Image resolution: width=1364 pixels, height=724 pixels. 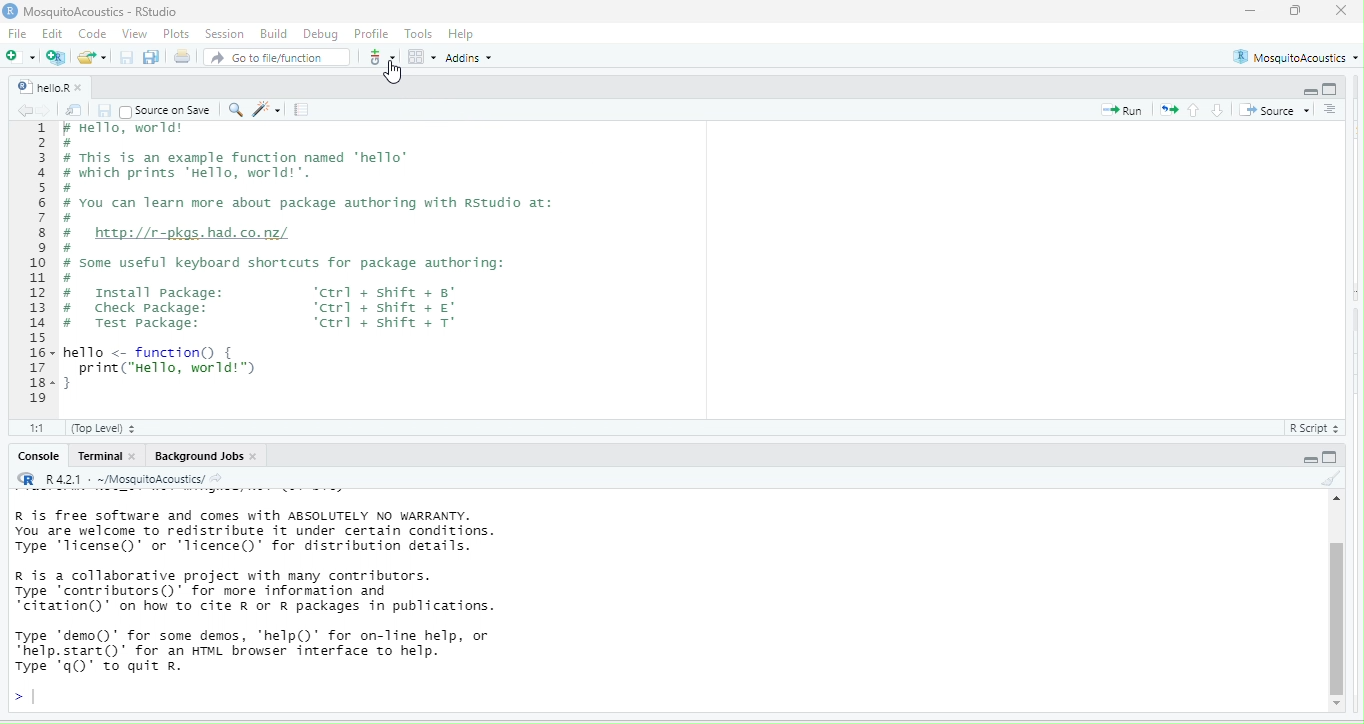 I want to click on Plots, so click(x=174, y=35).